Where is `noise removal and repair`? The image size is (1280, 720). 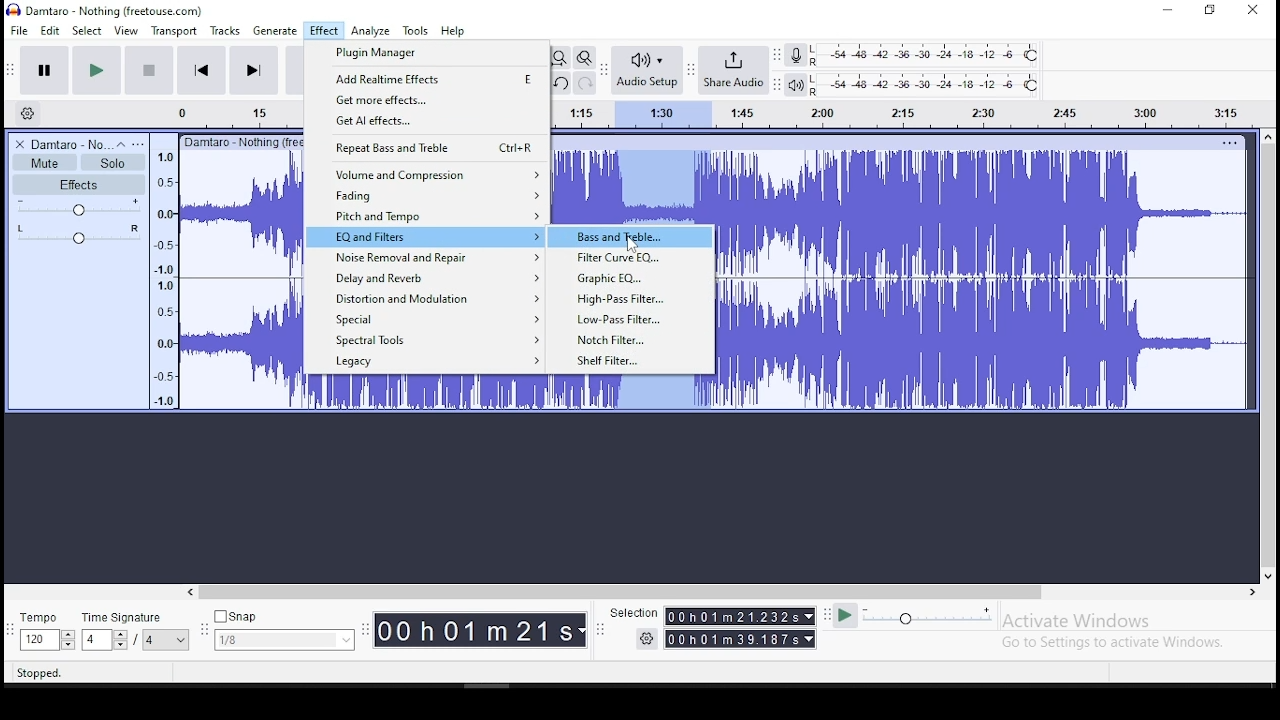 noise removal and repair is located at coordinates (425, 258).